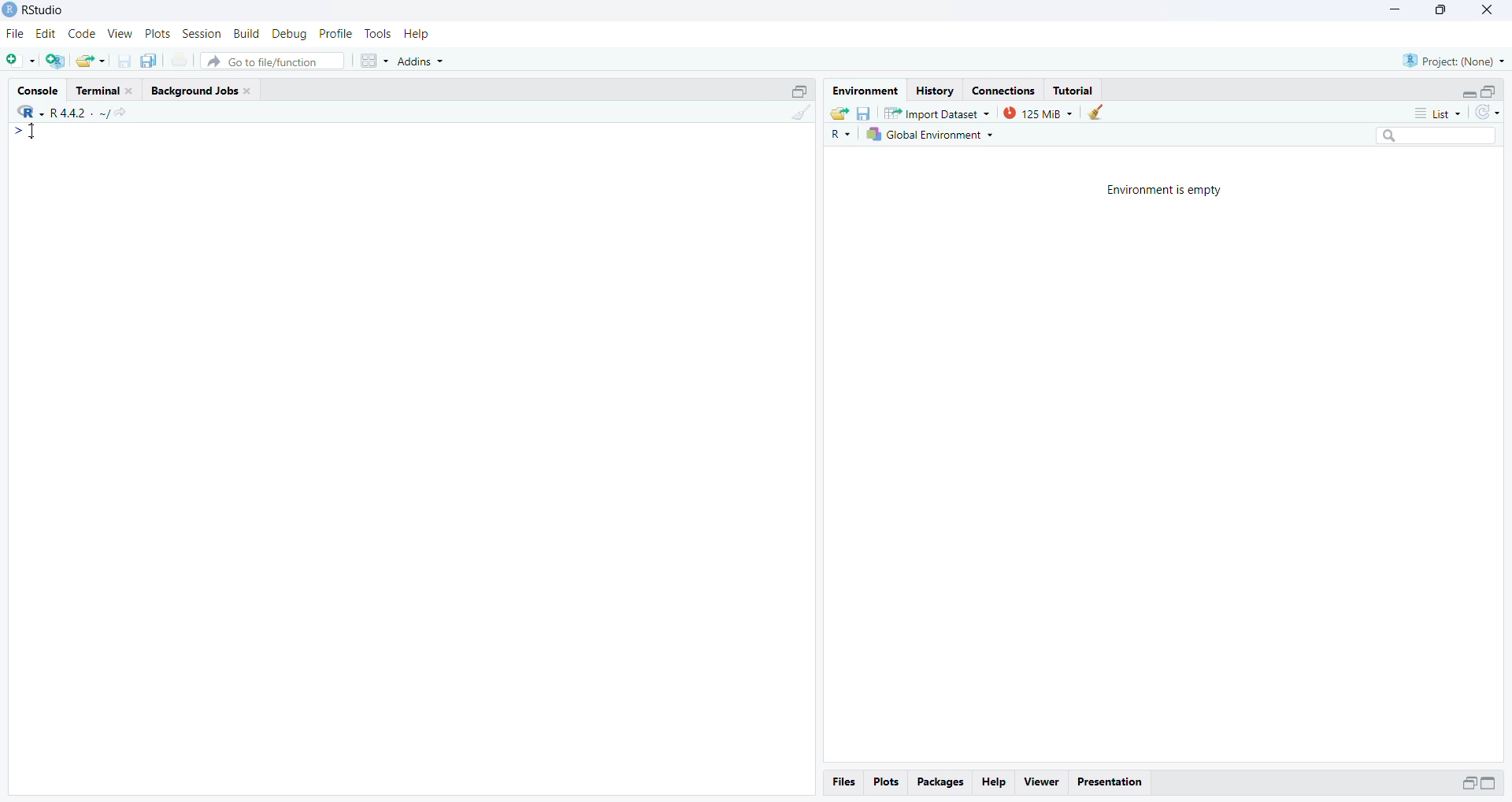  What do you see at coordinates (374, 61) in the screenshot?
I see `Workspace panes` at bounding box center [374, 61].